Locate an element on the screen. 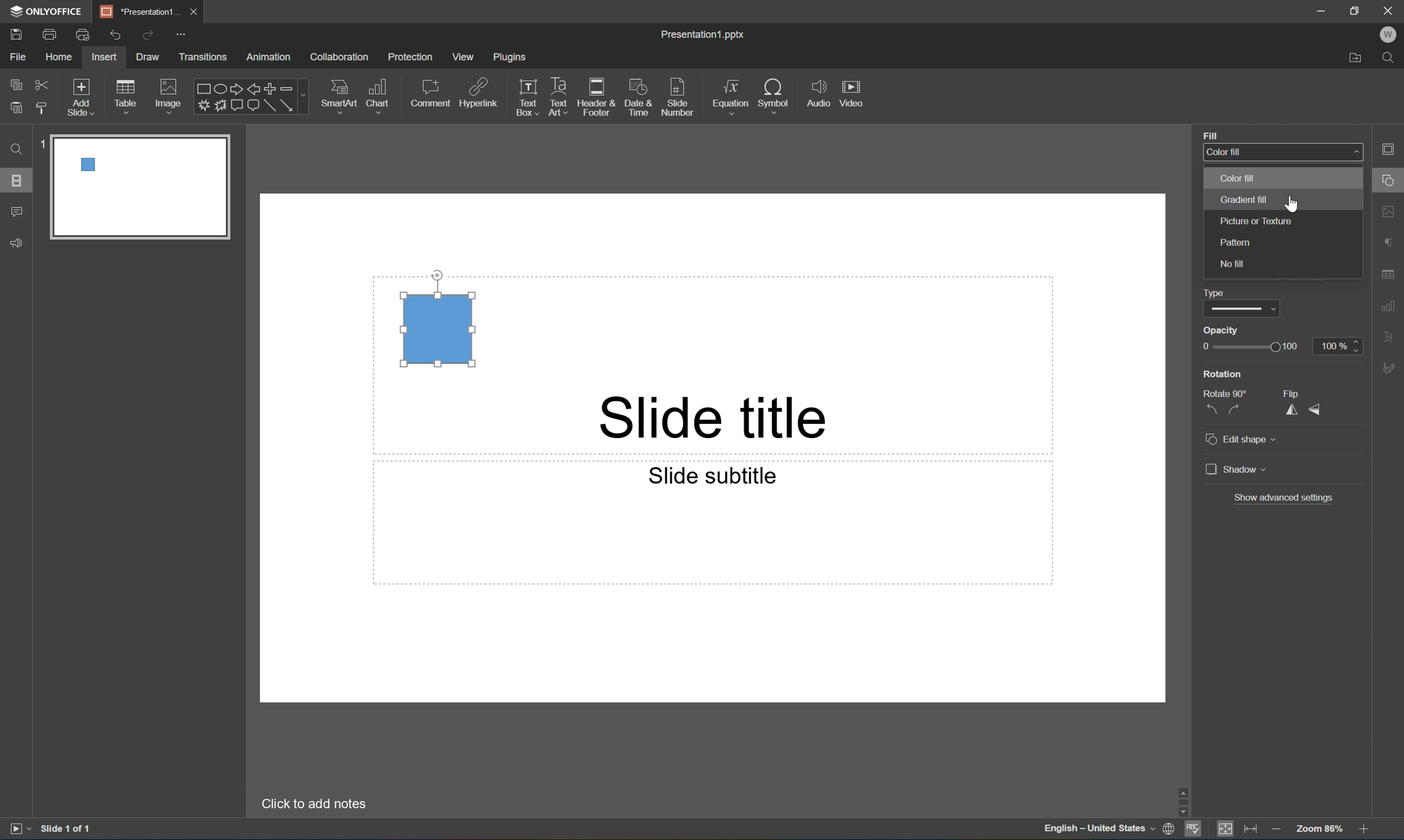   is located at coordinates (252, 106).